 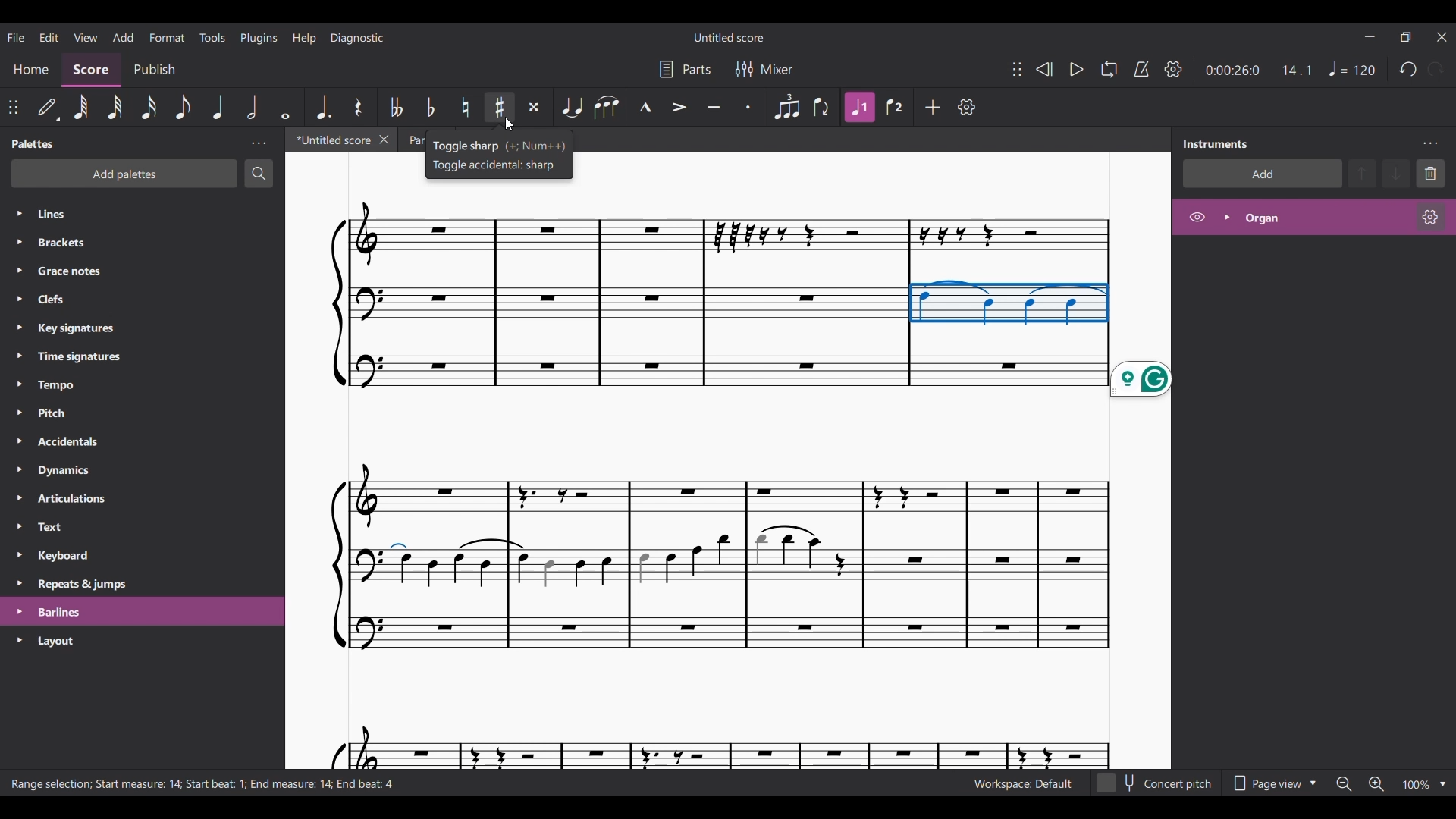 I want to click on Play, so click(x=1078, y=68).